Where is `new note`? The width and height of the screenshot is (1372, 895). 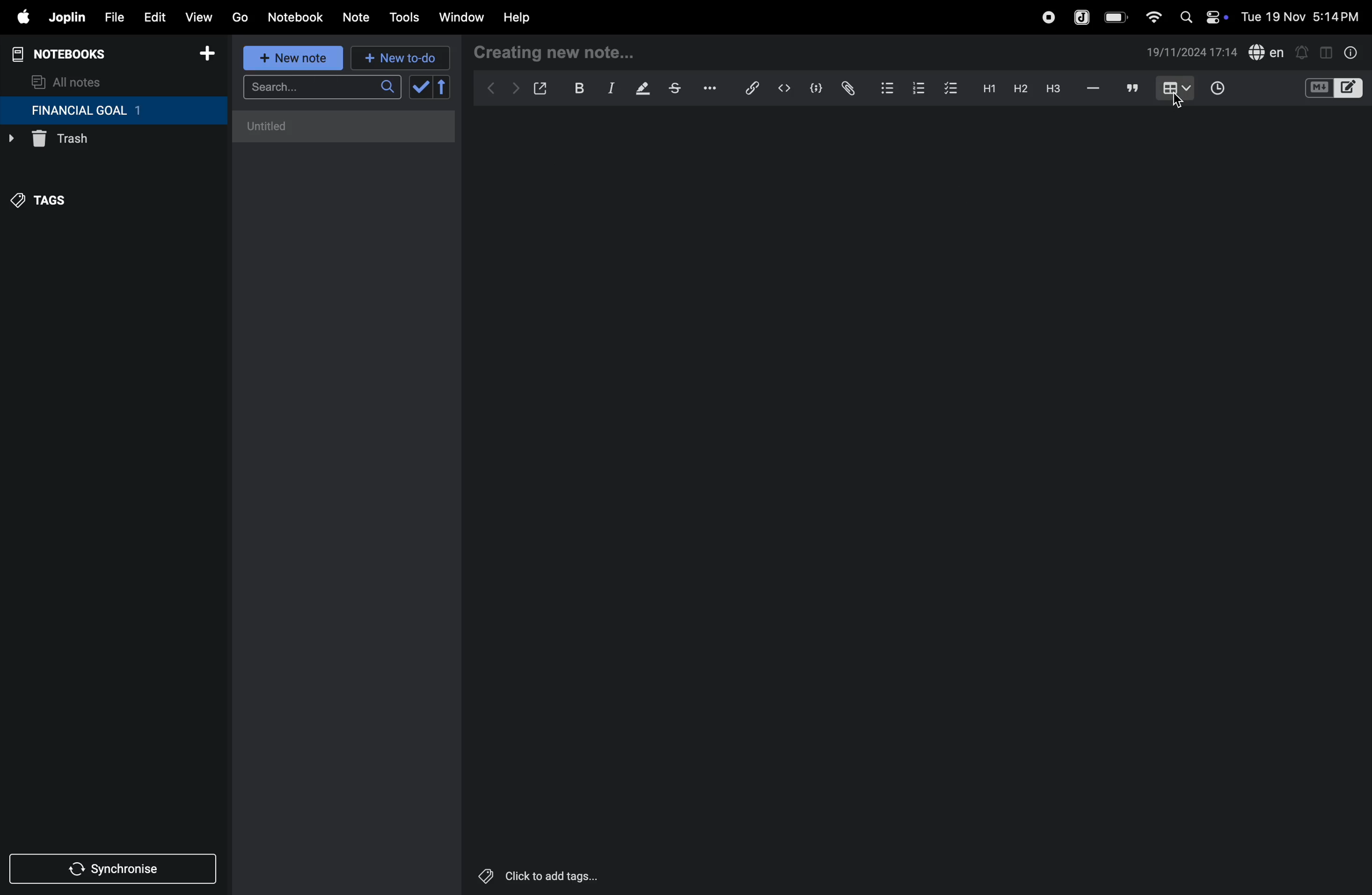
new note is located at coordinates (293, 58).